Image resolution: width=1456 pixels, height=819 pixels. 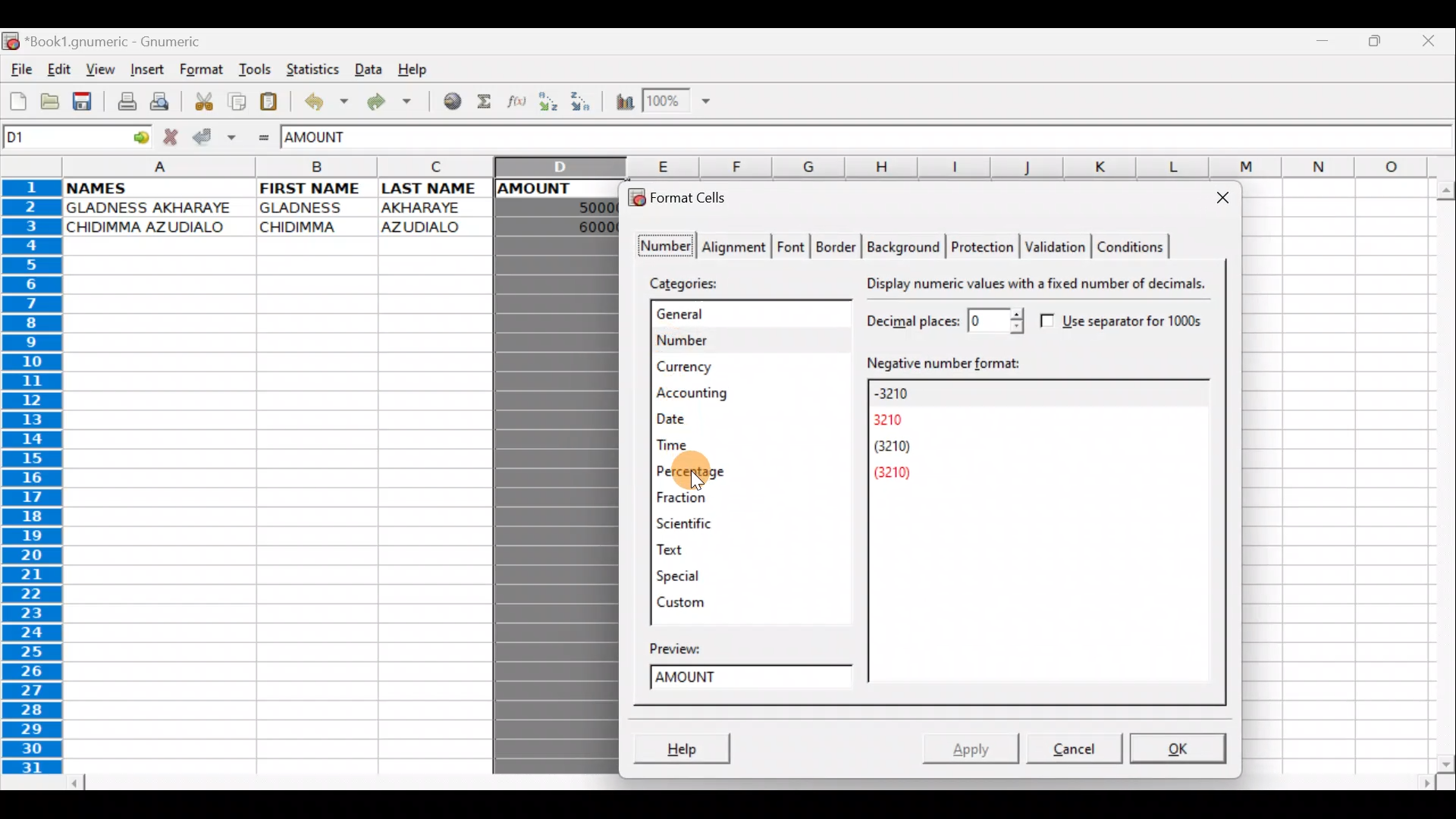 I want to click on Apply, so click(x=973, y=745).